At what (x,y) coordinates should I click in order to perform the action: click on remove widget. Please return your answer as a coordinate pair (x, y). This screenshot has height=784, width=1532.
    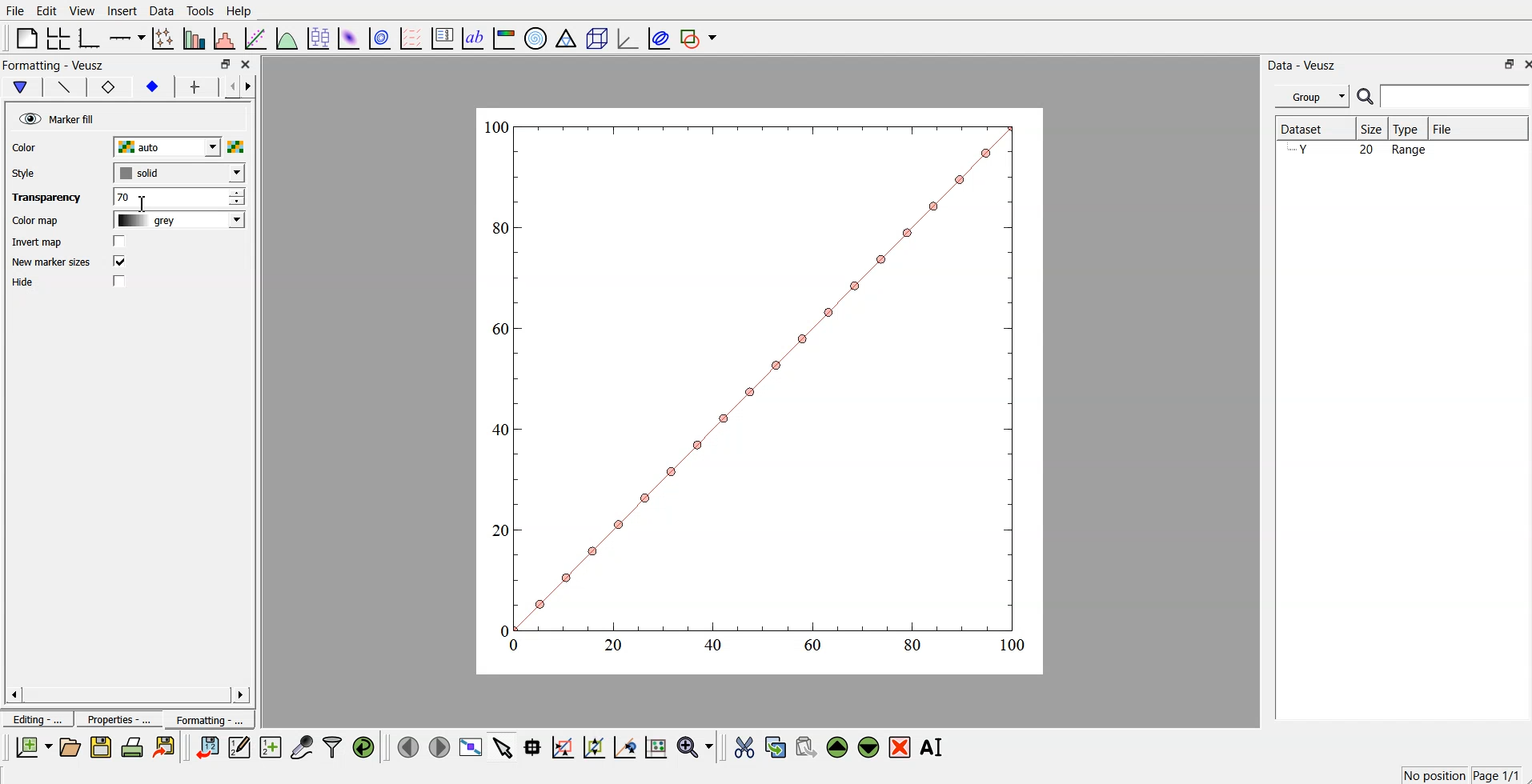
    Looking at the image, I should click on (900, 746).